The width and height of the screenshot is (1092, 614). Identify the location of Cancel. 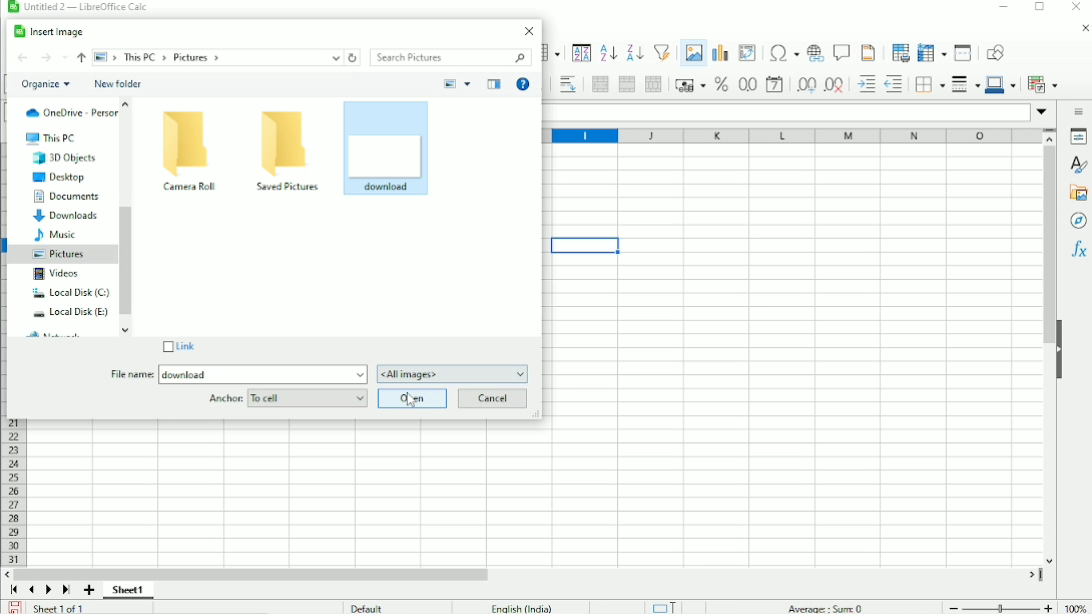
(494, 399).